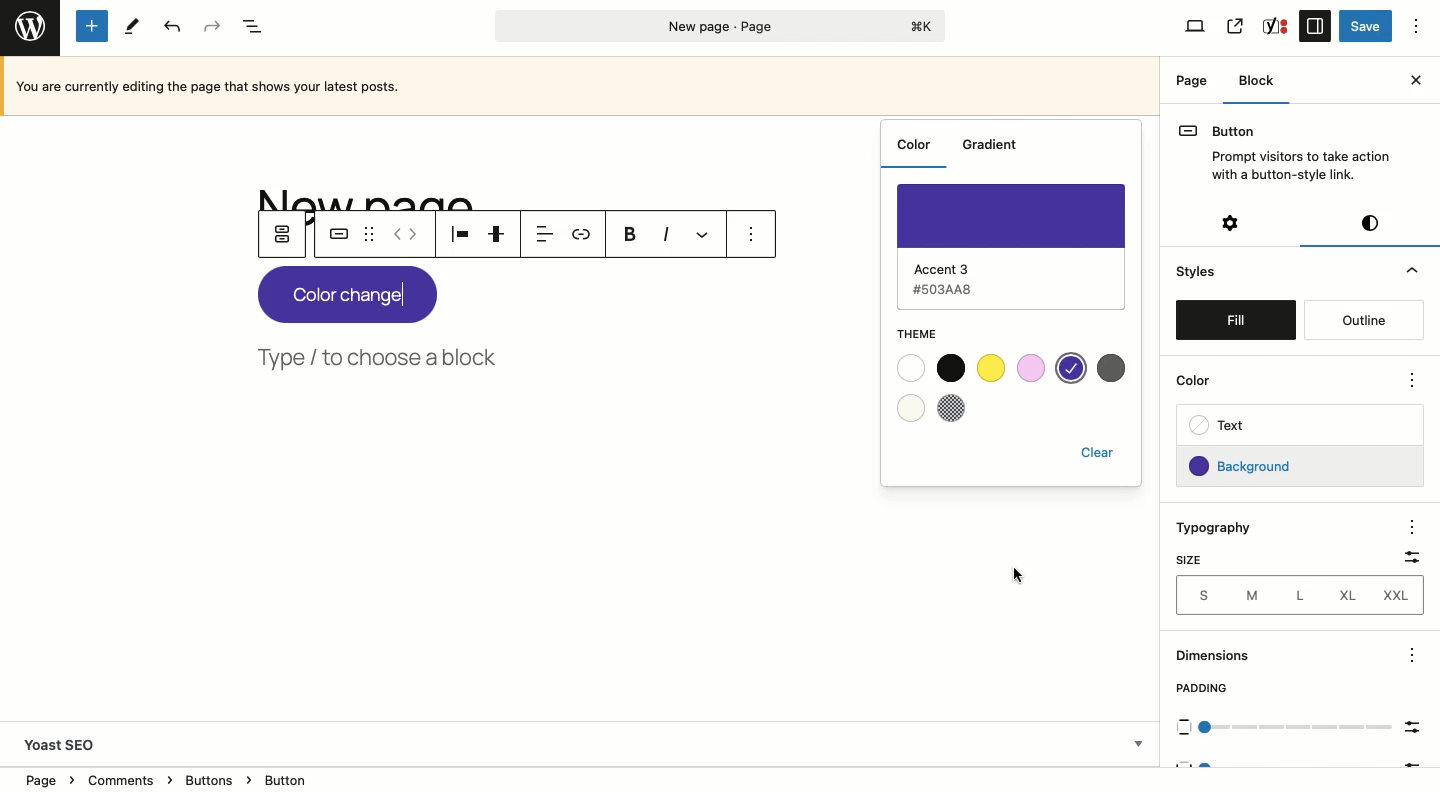 The image size is (1440, 792). What do you see at coordinates (1404, 271) in the screenshot?
I see `Hide` at bounding box center [1404, 271].